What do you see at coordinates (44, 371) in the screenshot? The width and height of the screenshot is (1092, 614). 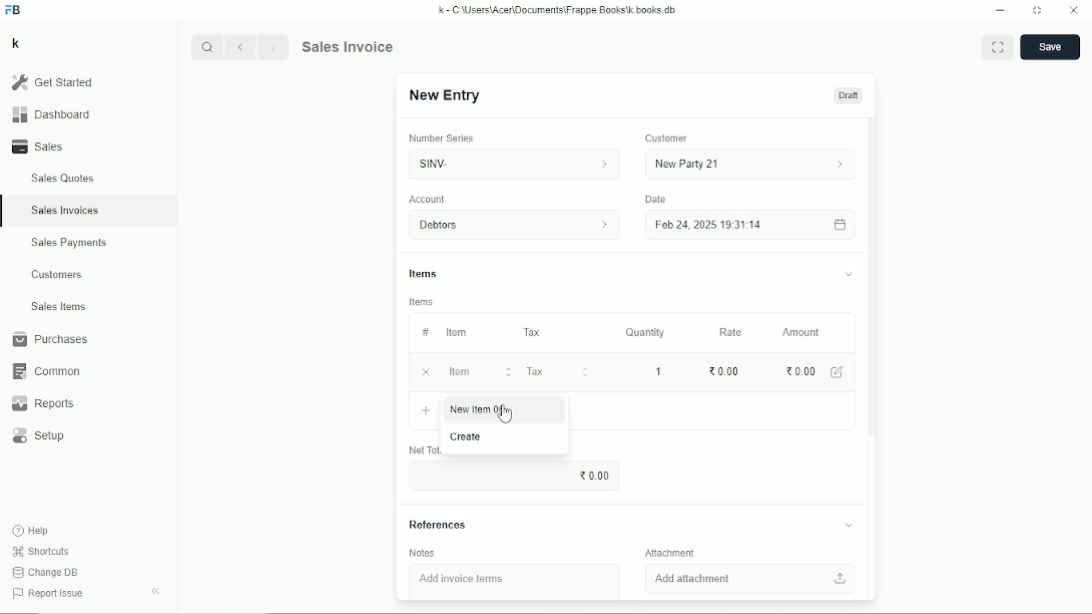 I see `Common` at bounding box center [44, 371].